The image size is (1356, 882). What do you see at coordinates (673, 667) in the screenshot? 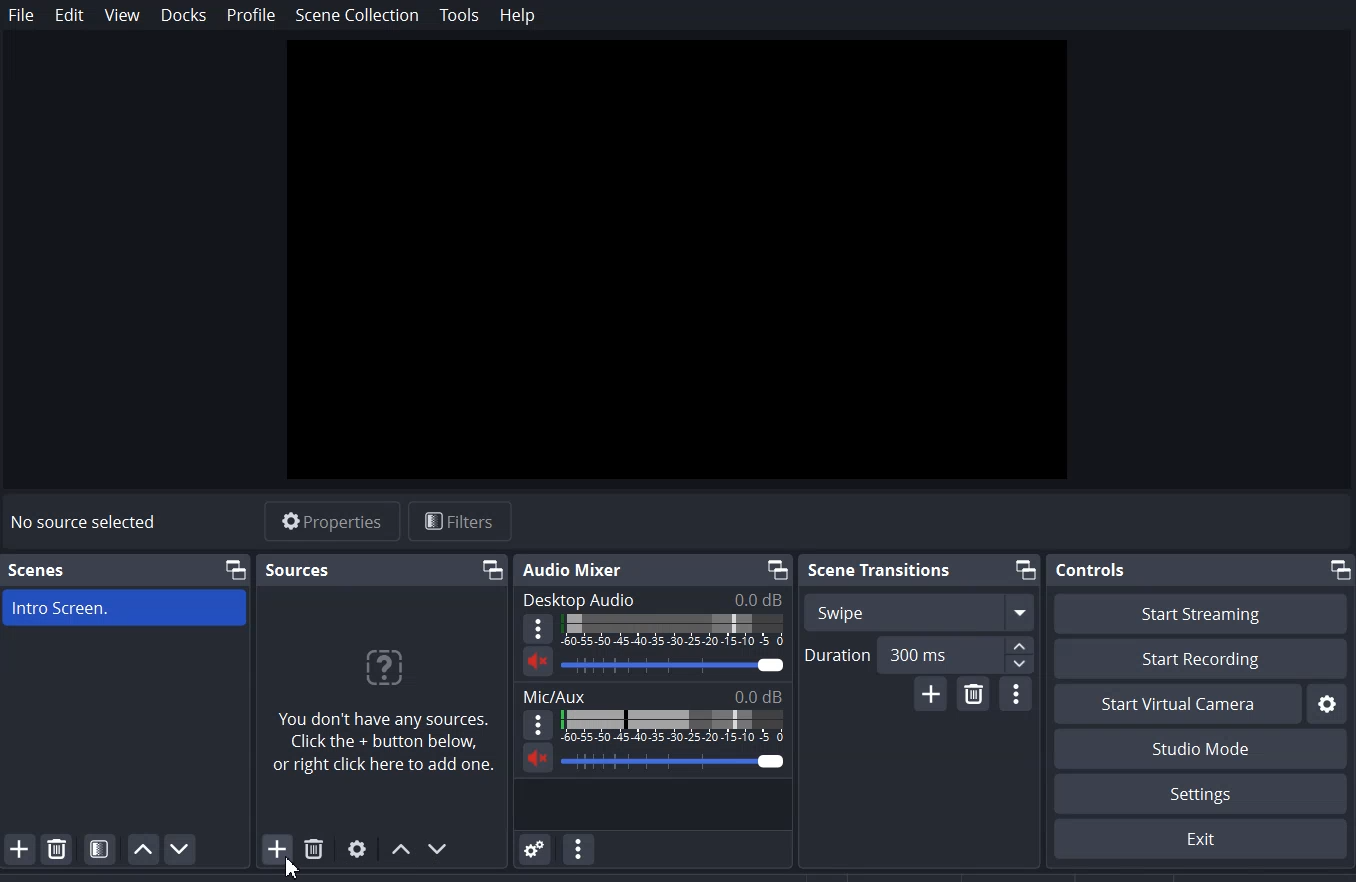
I see `Text` at bounding box center [673, 667].